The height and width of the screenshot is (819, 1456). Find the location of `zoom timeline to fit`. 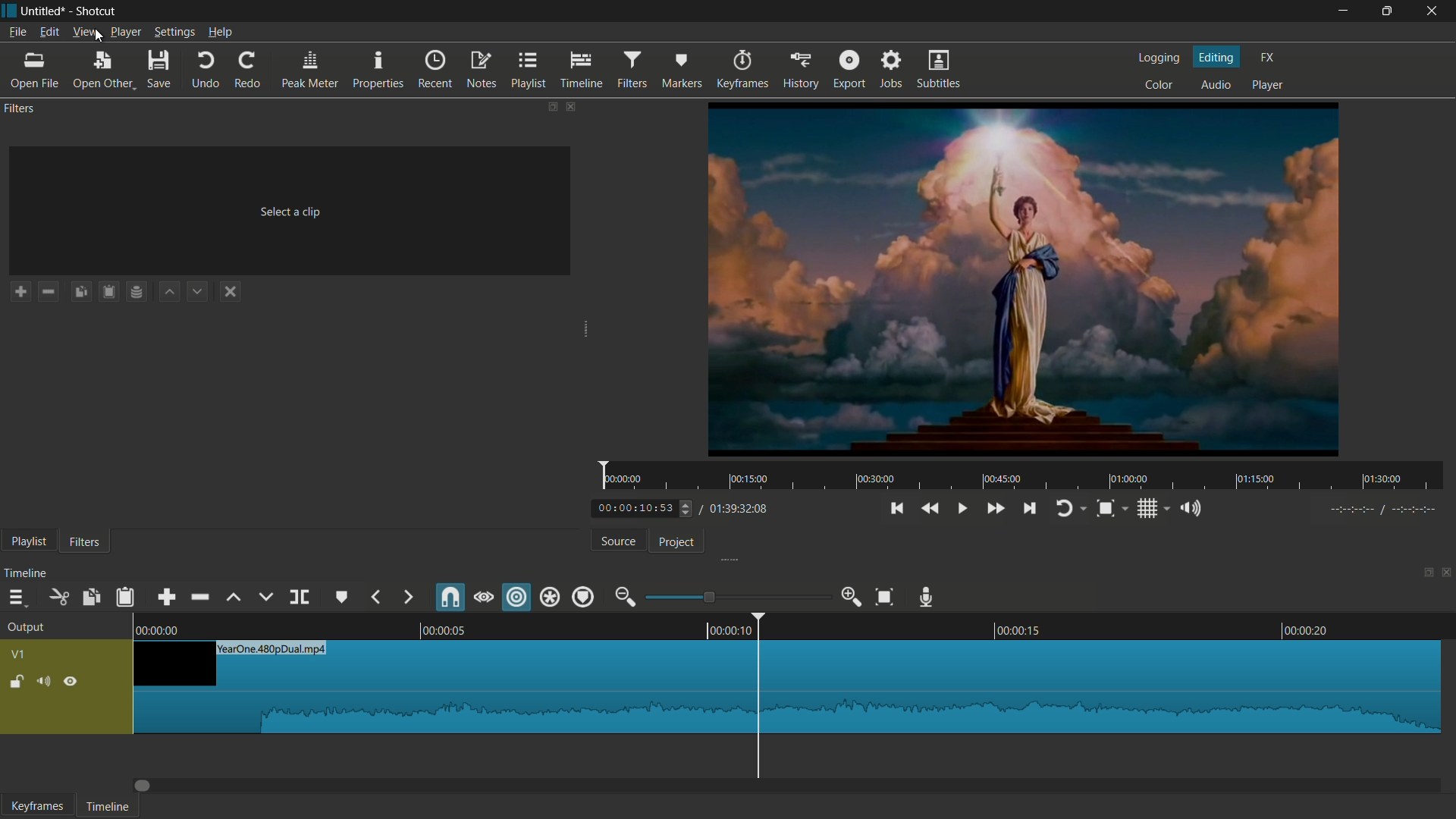

zoom timeline to fit is located at coordinates (886, 596).